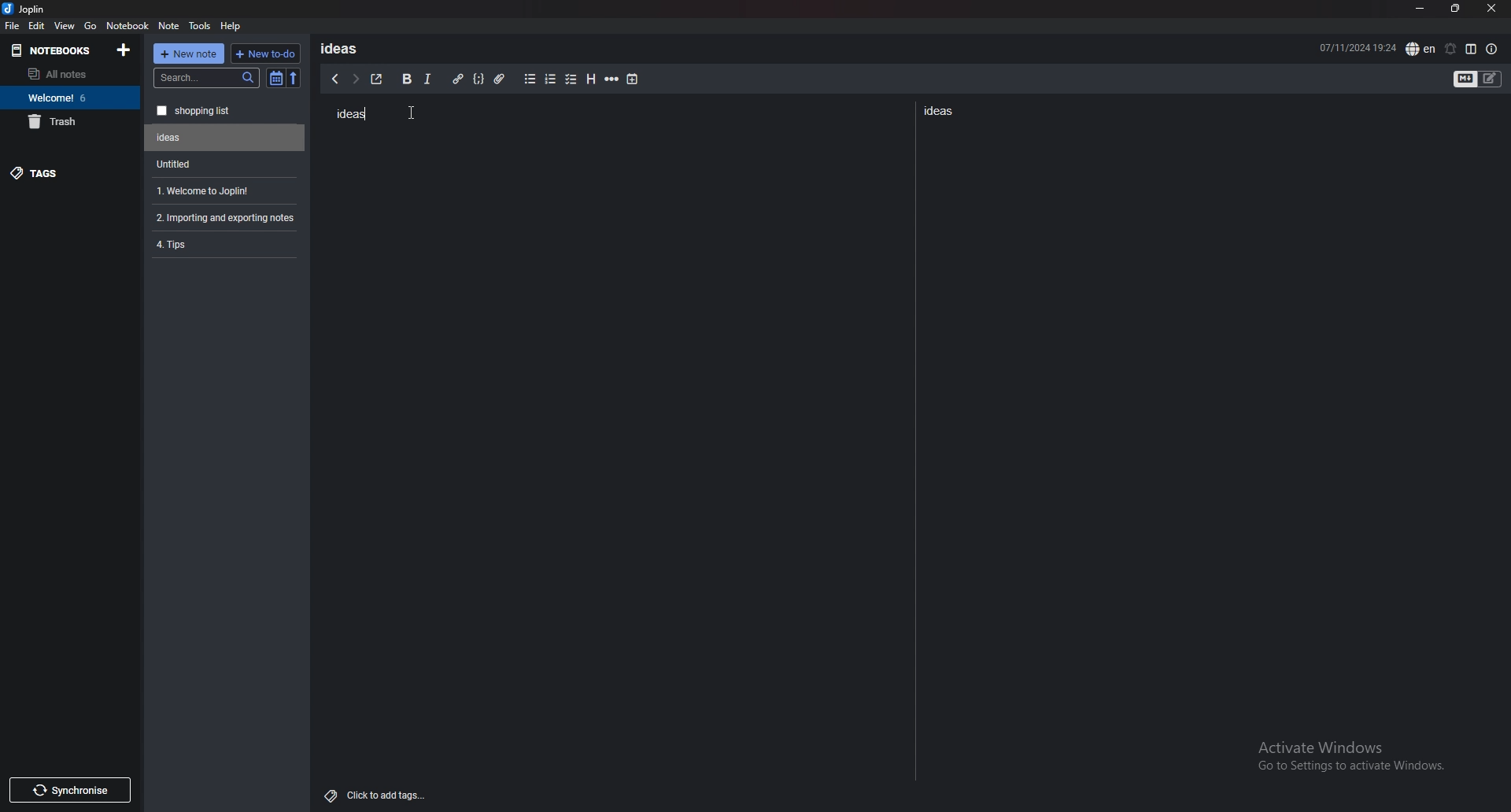  What do you see at coordinates (350, 115) in the screenshot?
I see `ideas` at bounding box center [350, 115].